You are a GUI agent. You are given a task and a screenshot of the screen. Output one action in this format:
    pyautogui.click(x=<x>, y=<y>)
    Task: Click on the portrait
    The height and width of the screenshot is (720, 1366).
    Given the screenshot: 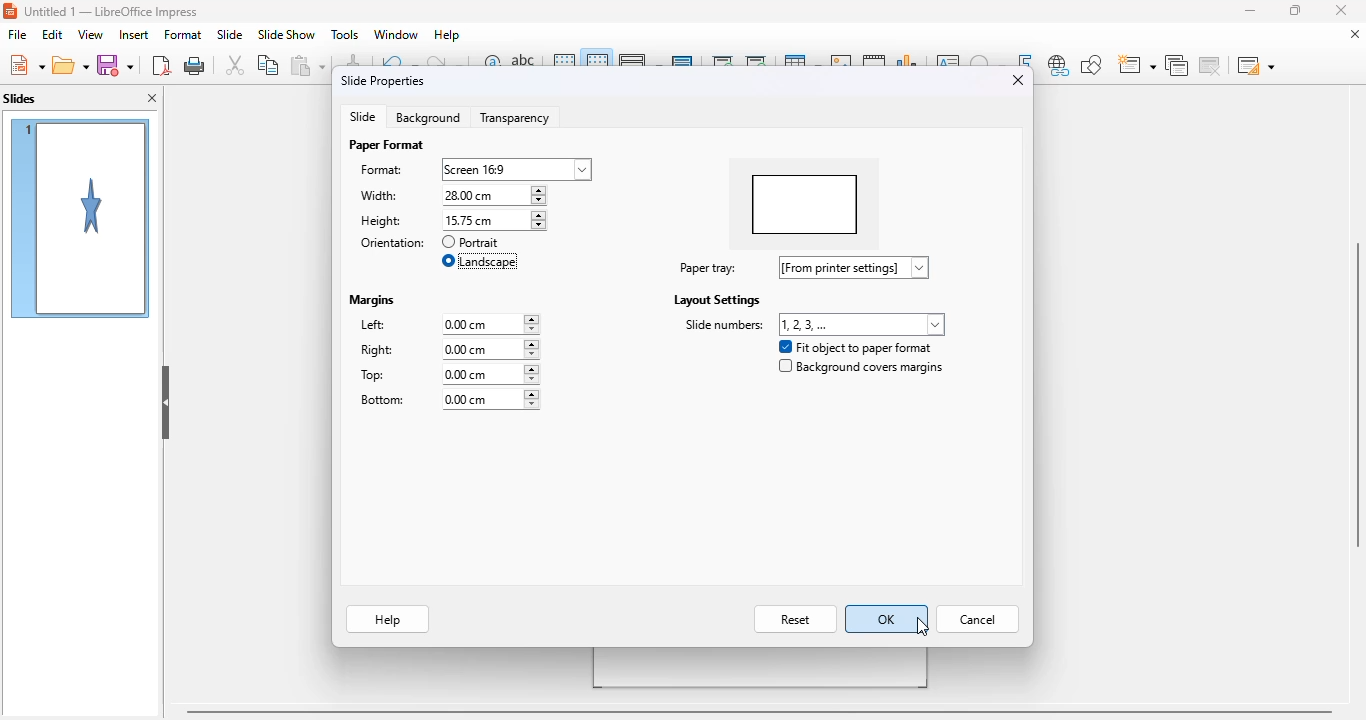 What is the action you would take?
    pyautogui.click(x=470, y=242)
    